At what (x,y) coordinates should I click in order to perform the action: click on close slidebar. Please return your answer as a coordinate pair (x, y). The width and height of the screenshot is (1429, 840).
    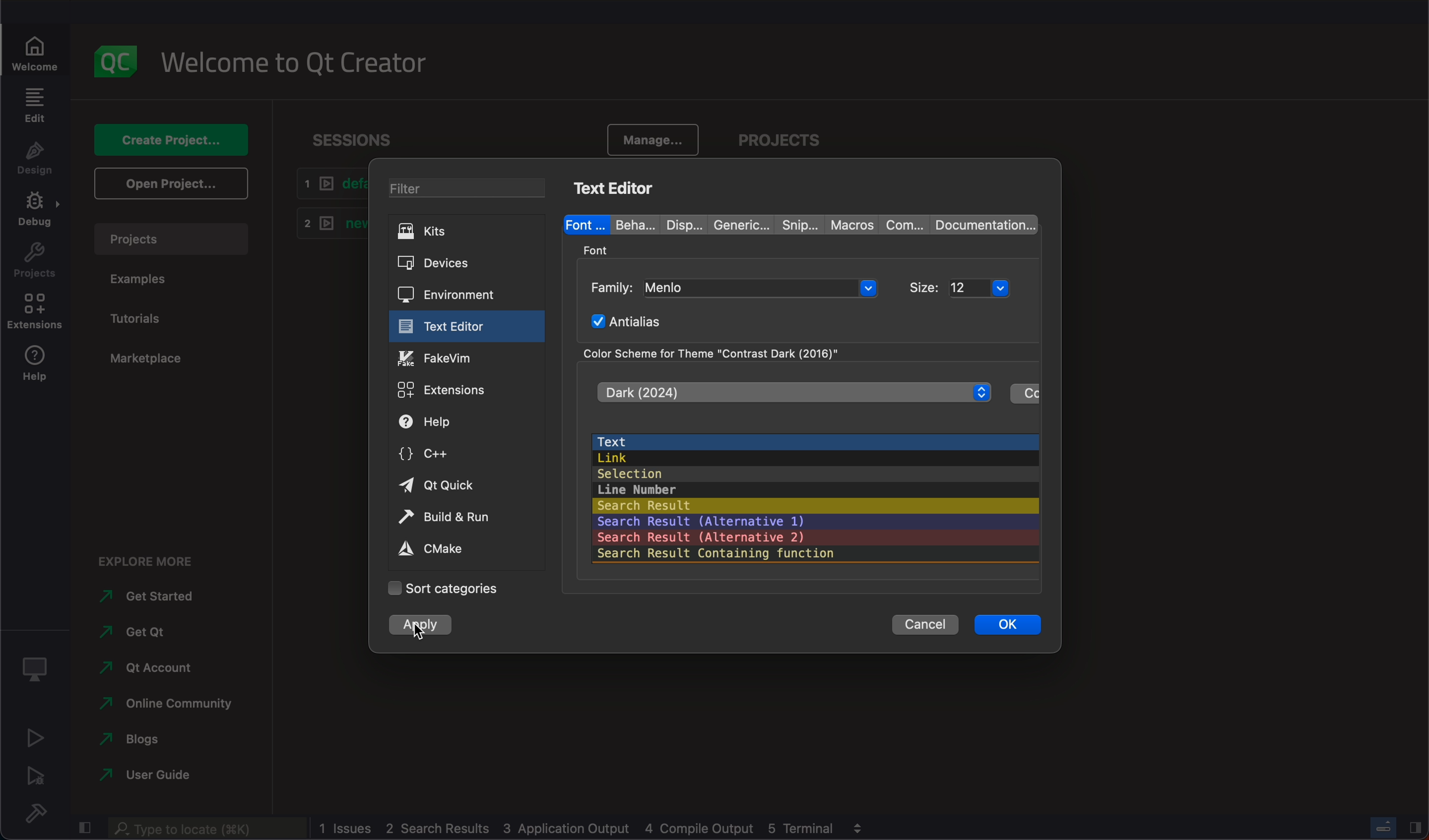
    Looking at the image, I should click on (1416, 828).